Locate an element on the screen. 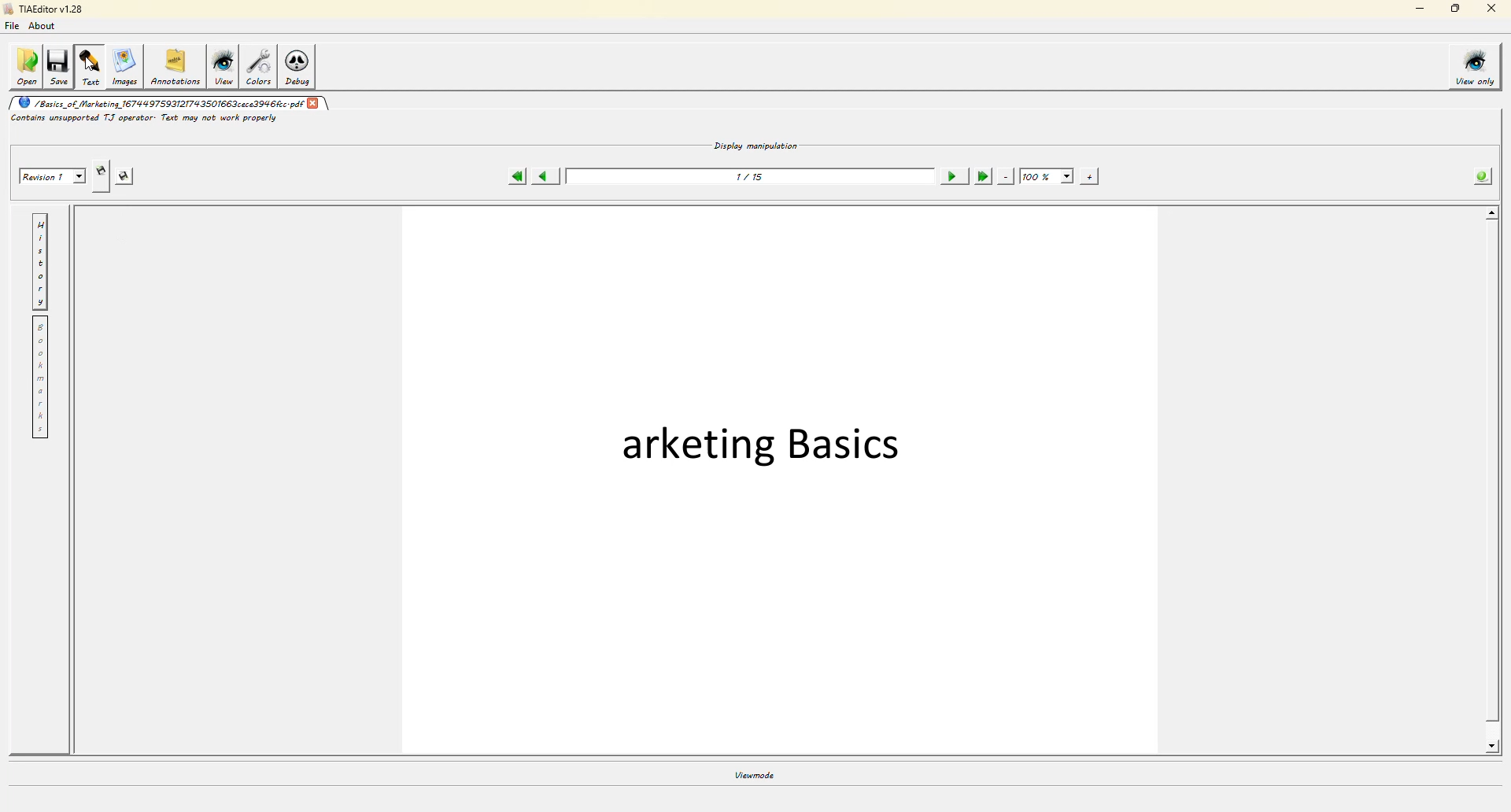 This screenshot has height=812, width=1511. move up is located at coordinates (1492, 215).